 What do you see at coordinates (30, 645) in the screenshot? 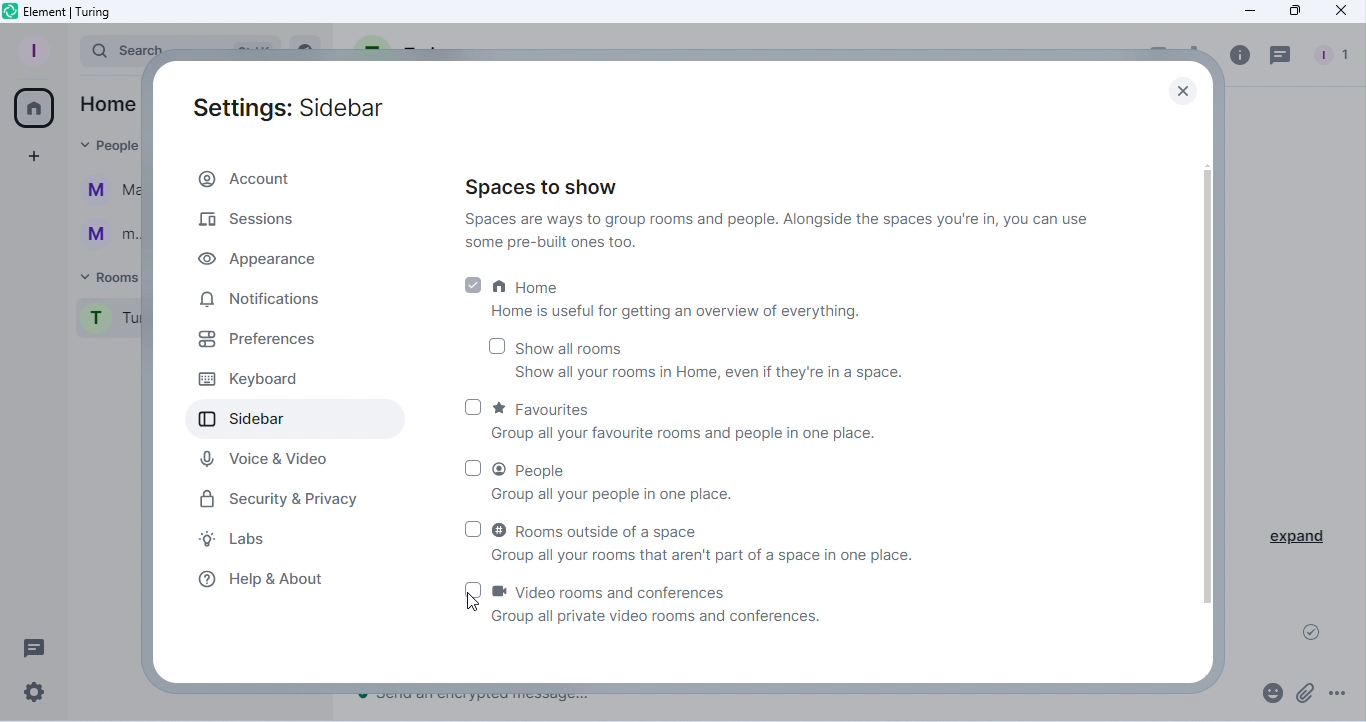
I see `Threads` at bounding box center [30, 645].